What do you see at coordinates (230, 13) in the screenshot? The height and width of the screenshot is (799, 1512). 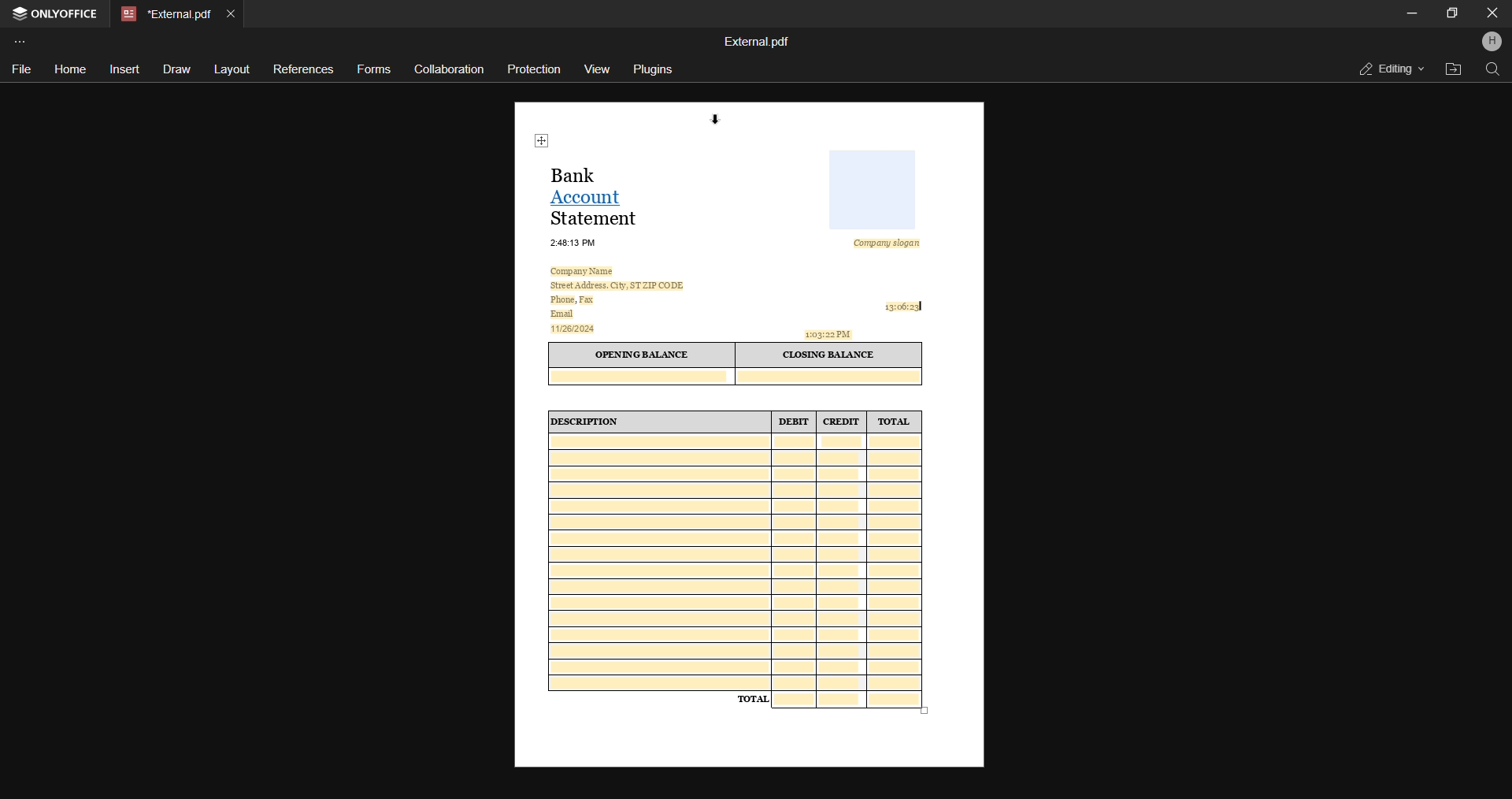 I see `close current tab` at bounding box center [230, 13].